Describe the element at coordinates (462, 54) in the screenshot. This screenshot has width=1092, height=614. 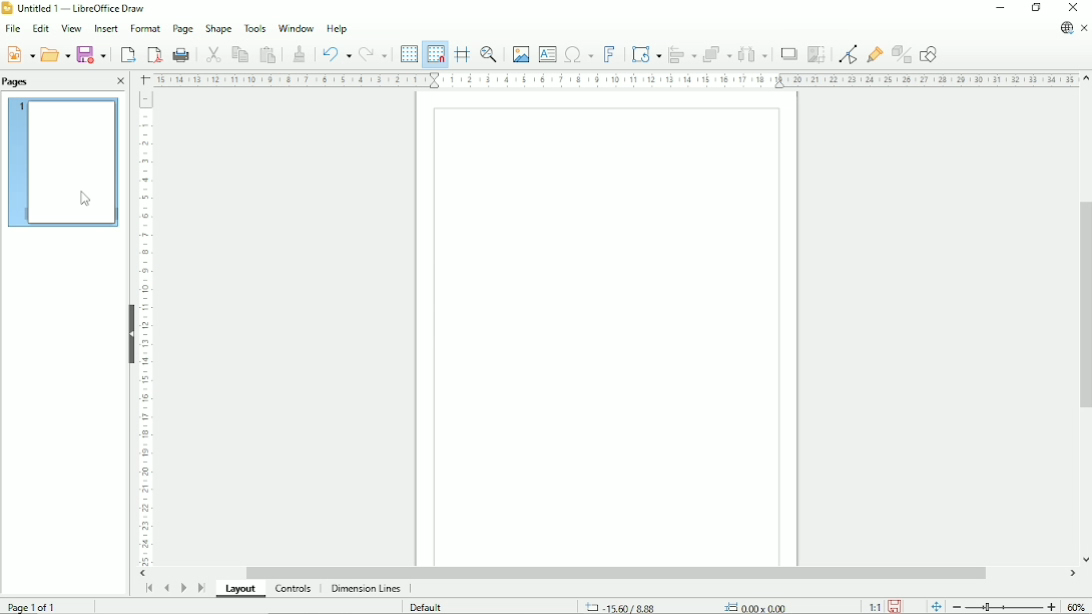
I see `Helplines while moving` at that location.